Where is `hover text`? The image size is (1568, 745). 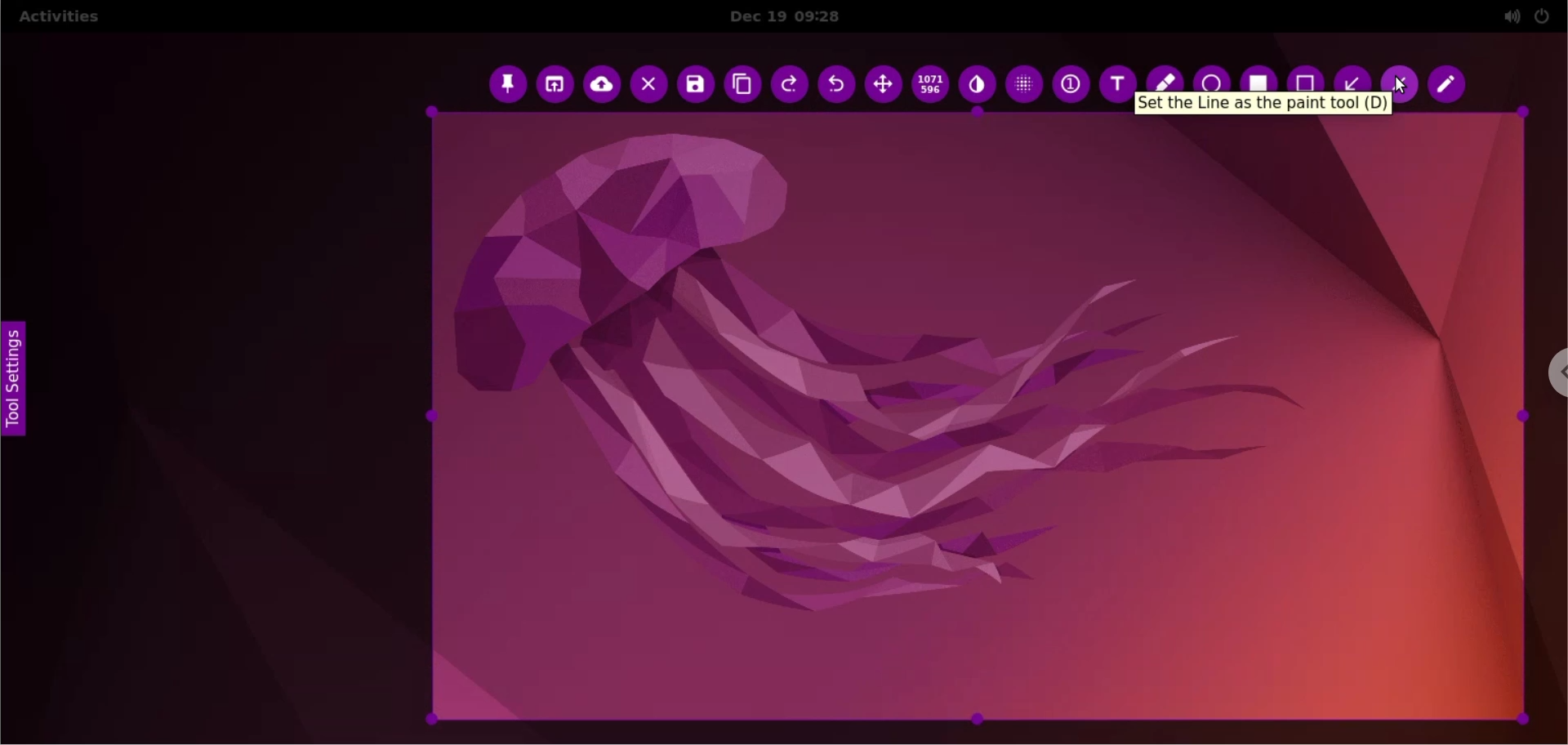 hover text is located at coordinates (1266, 104).